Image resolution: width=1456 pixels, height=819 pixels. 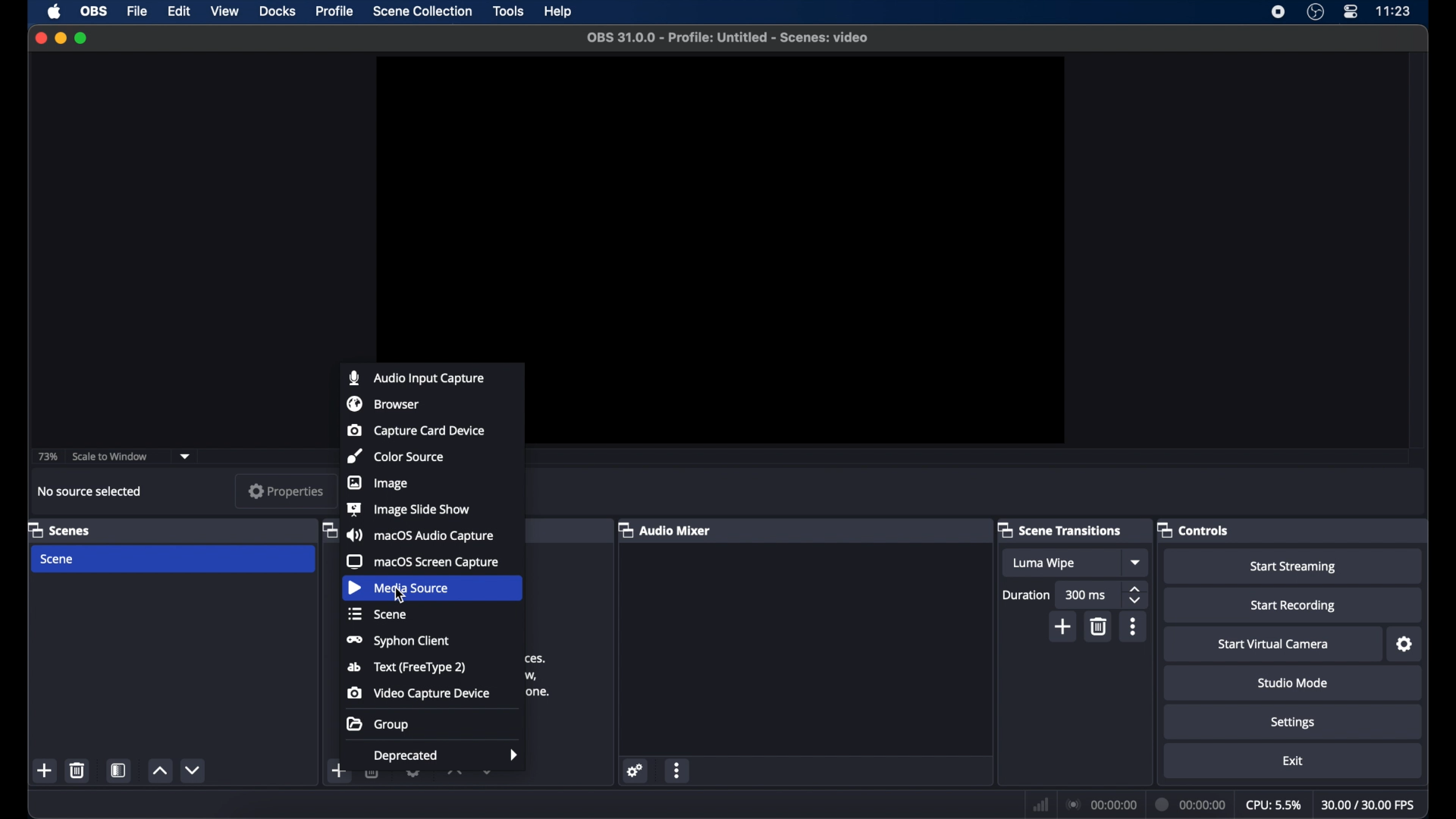 I want to click on capture card device, so click(x=417, y=430).